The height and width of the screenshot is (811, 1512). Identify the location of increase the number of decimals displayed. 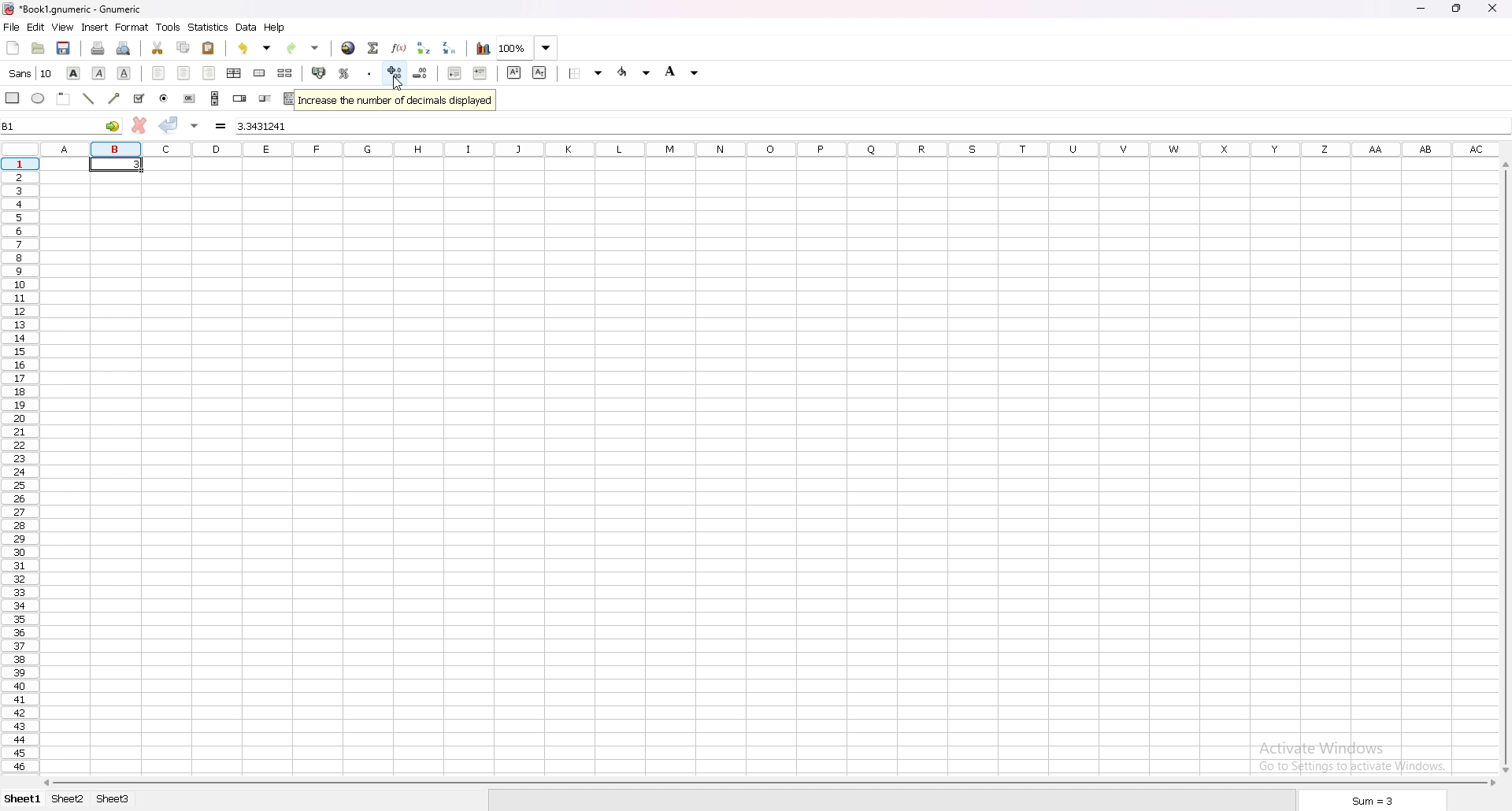
(398, 100).